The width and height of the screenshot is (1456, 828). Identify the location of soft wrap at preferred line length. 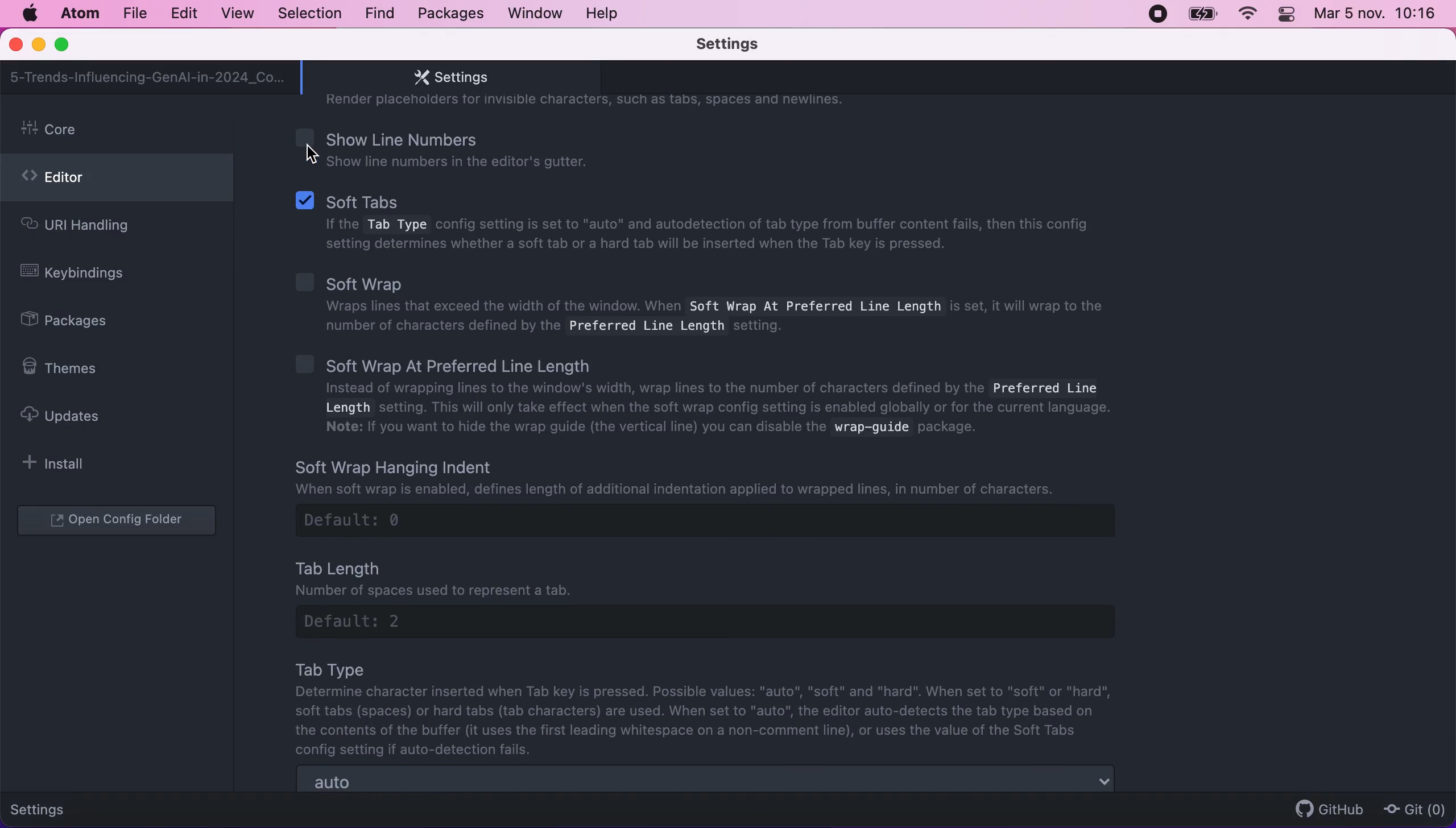
(716, 398).